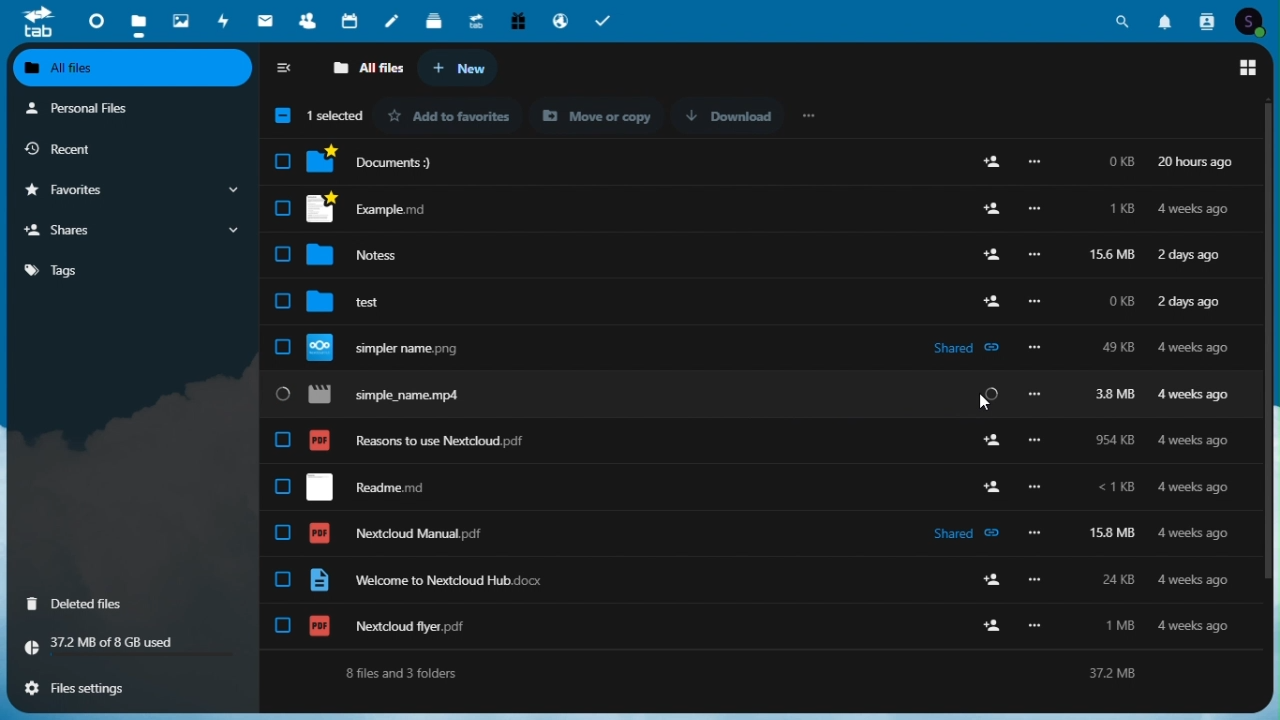 This screenshot has height=720, width=1280. What do you see at coordinates (750, 438) in the screenshot?
I see `Reasons to use Notebook` at bounding box center [750, 438].